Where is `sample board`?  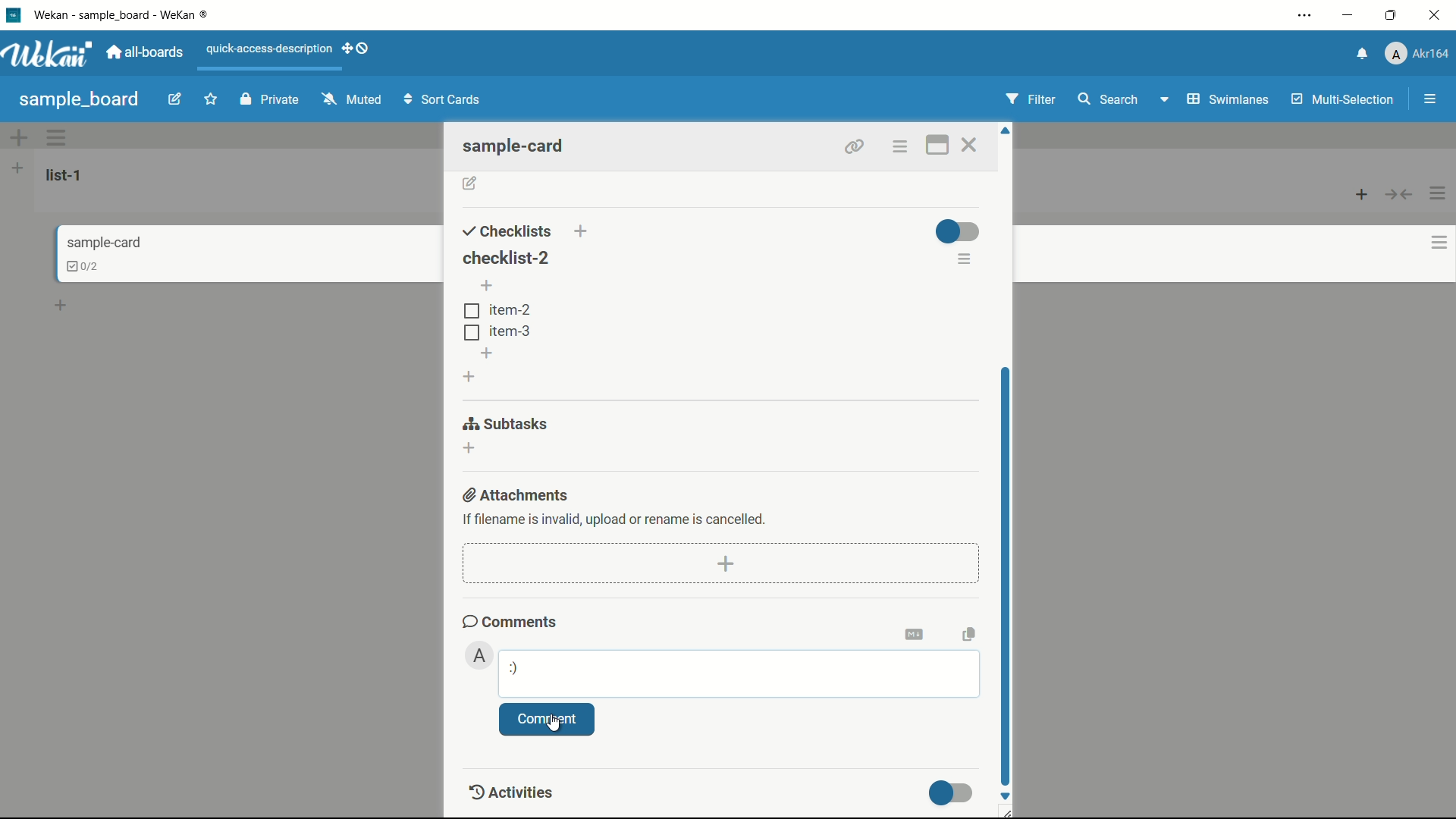 sample board is located at coordinates (79, 99).